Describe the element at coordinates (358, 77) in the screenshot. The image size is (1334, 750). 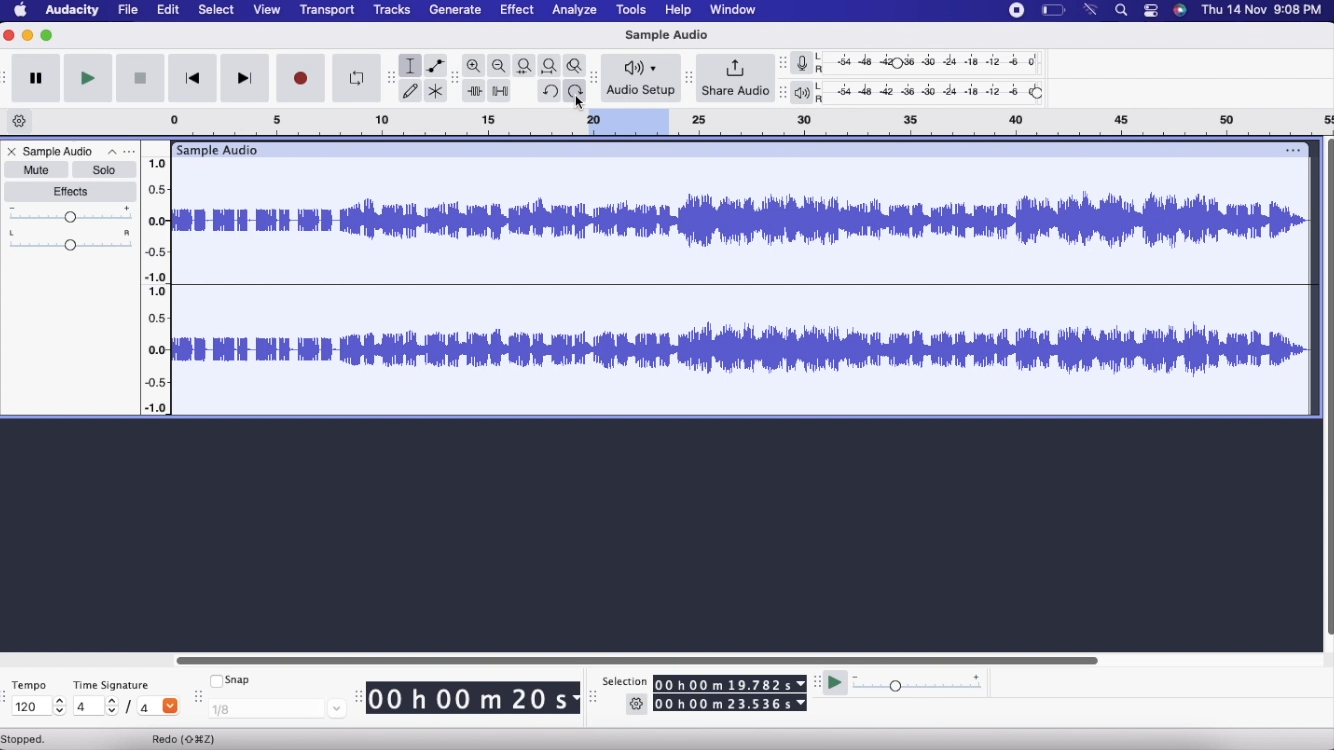
I see `Enable looping` at that location.